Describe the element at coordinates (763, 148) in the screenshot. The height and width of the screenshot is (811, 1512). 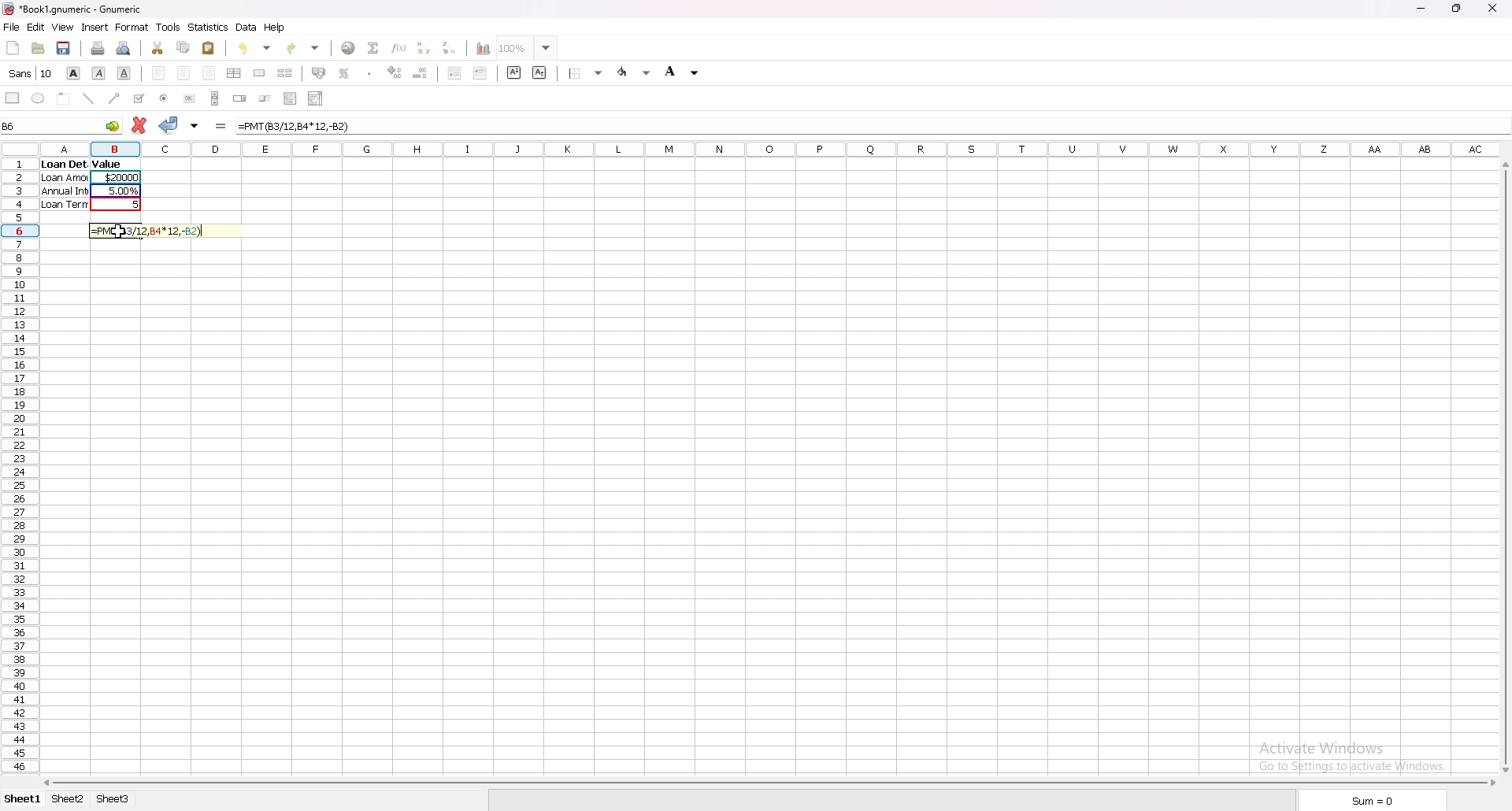
I see `column` at that location.